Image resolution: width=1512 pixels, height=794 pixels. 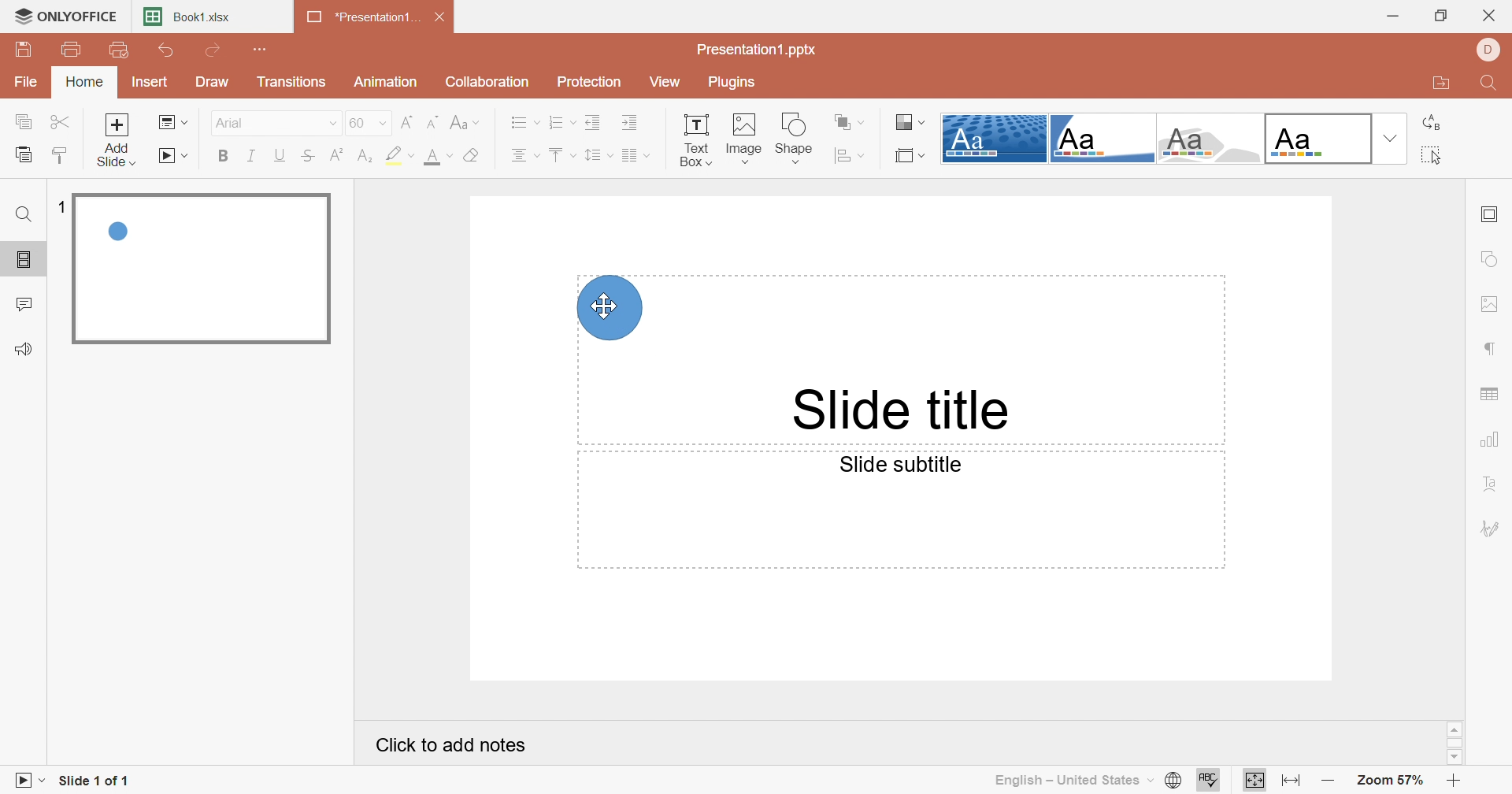 What do you see at coordinates (1101, 142) in the screenshot?
I see `Corner` at bounding box center [1101, 142].